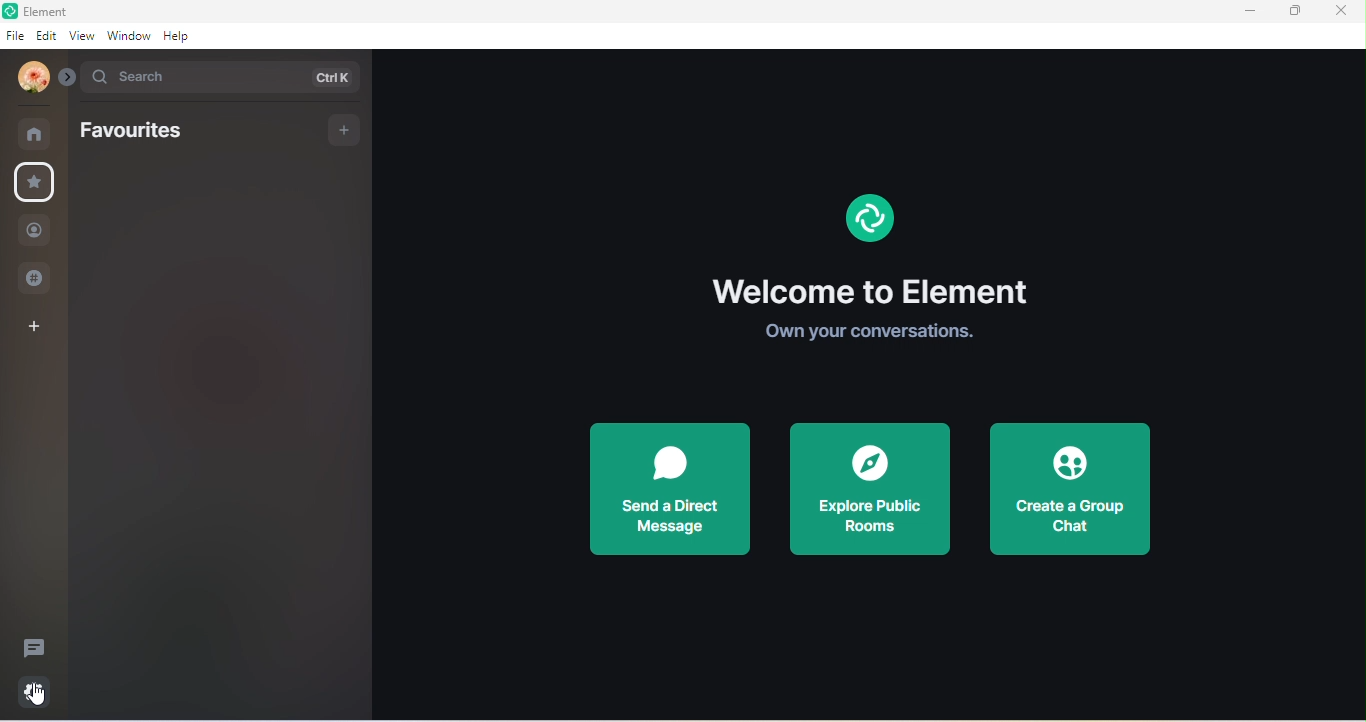  Describe the element at coordinates (80, 38) in the screenshot. I see `view` at that location.